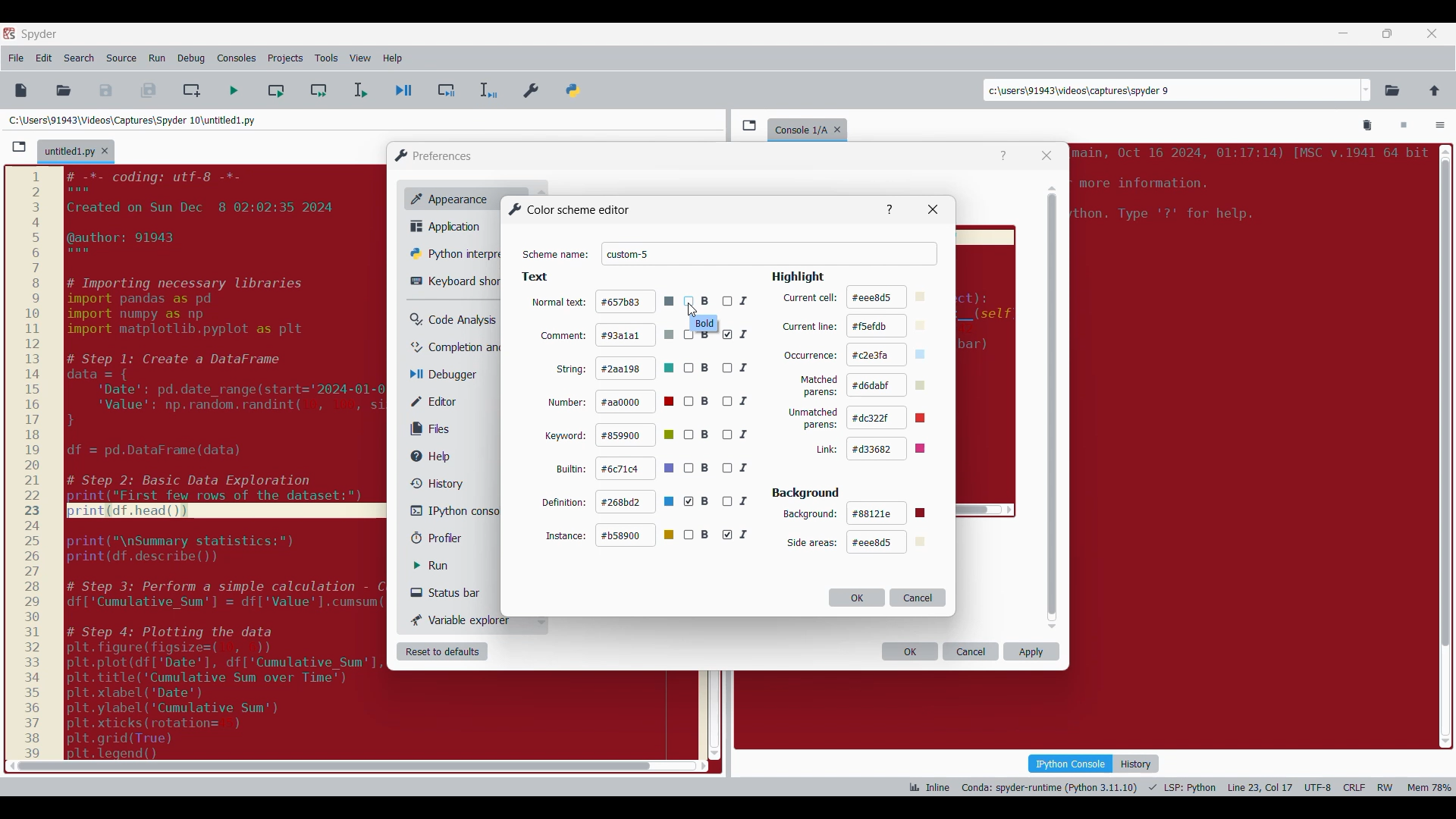 Image resolution: width=1456 pixels, height=819 pixels. I want to click on Current tab, so click(69, 152).